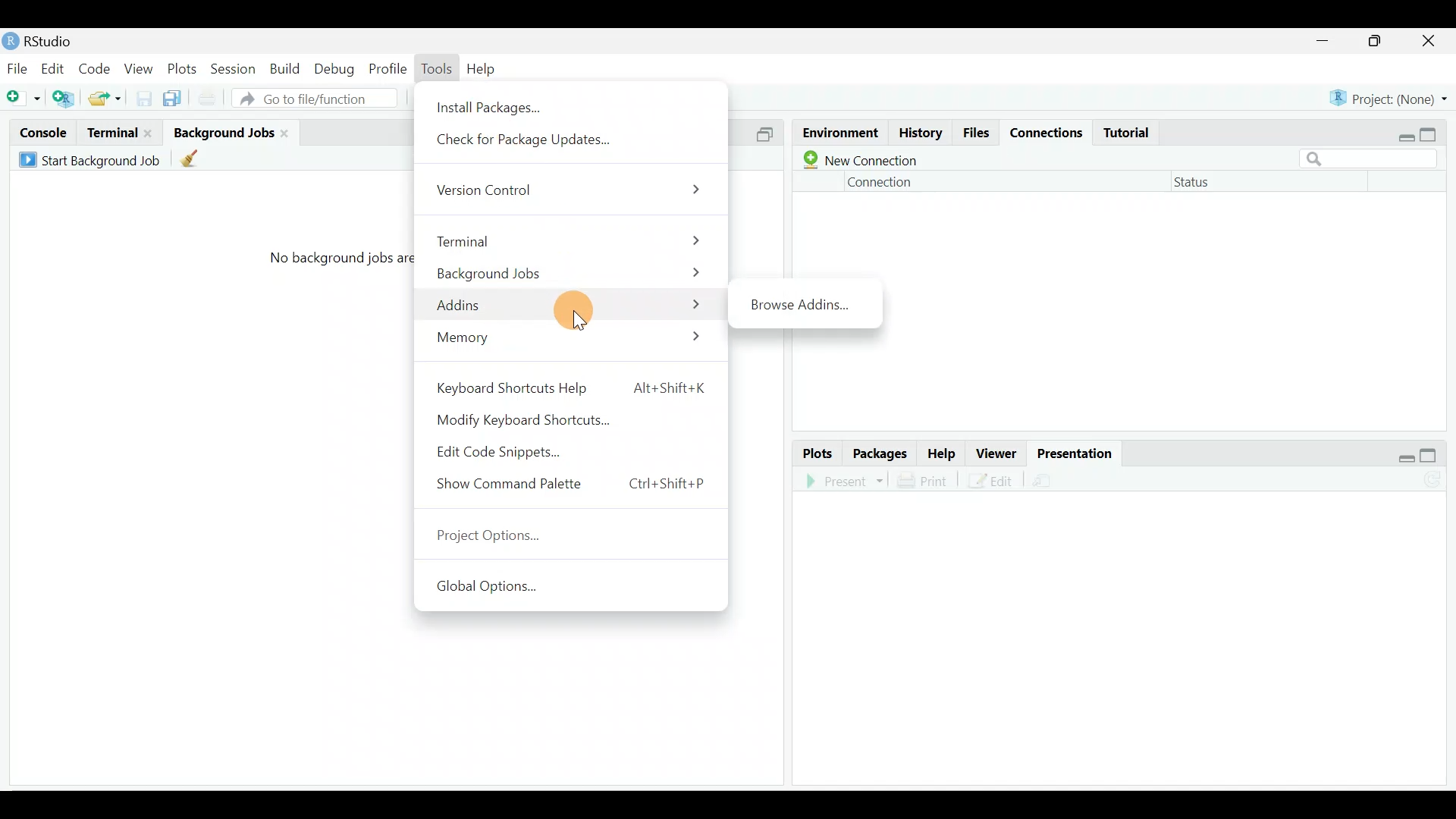 This screenshot has width=1456, height=819. Describe the element at coordinates (112, 133) in the screenshot. I see `Terminal` at that location.